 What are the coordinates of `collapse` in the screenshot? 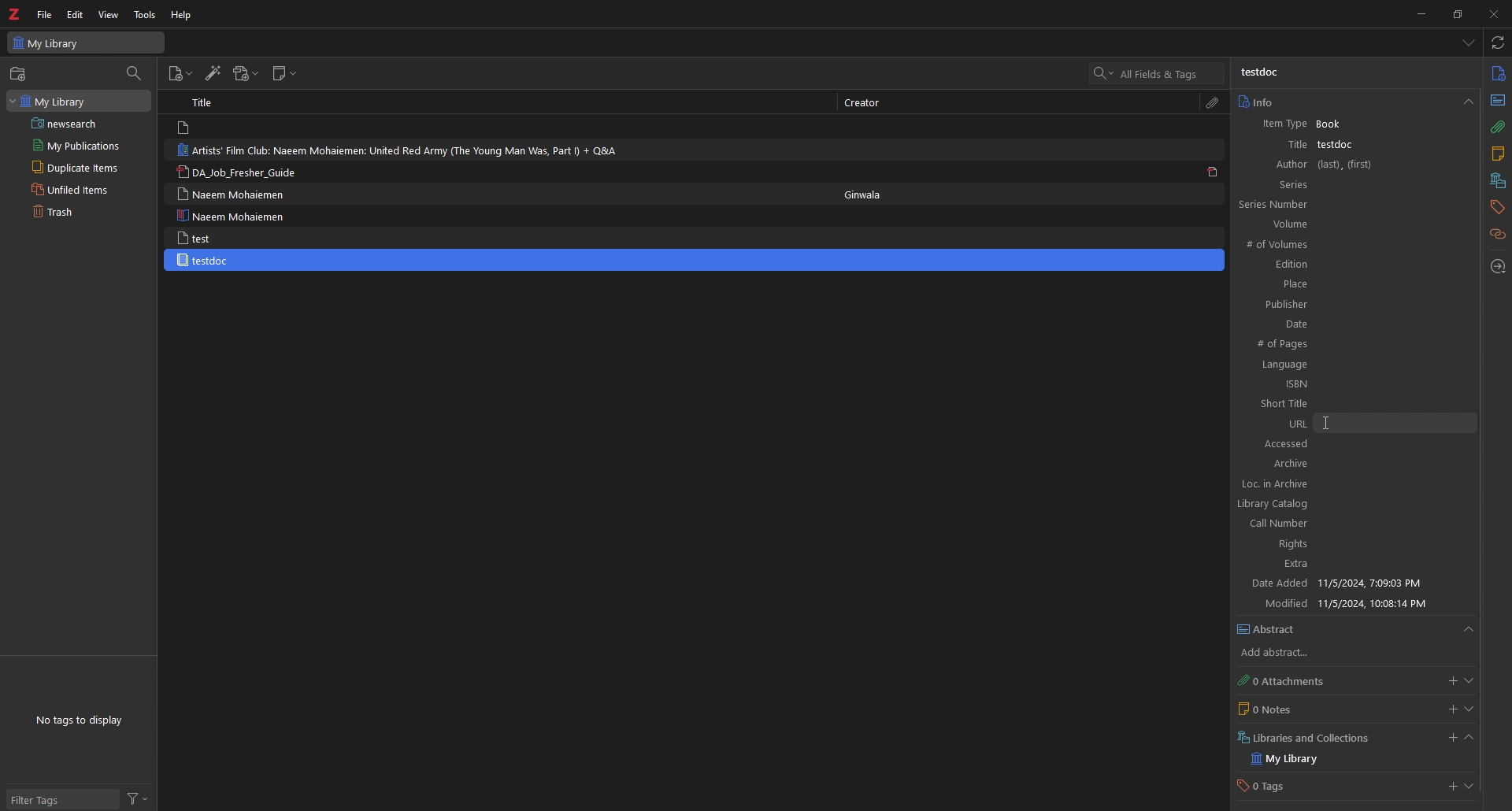 It's located at (1470, 738).